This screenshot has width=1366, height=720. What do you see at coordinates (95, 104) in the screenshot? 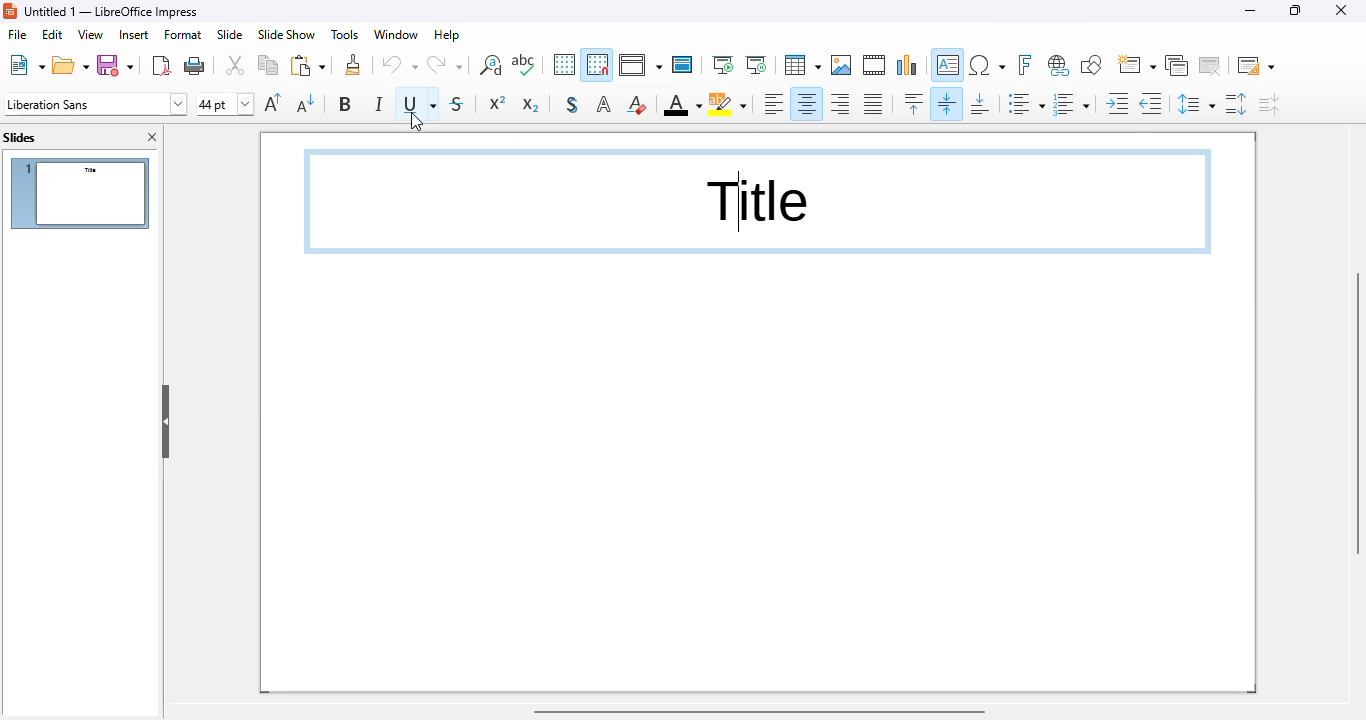
I see `font name` at bounding box center [95, 104].